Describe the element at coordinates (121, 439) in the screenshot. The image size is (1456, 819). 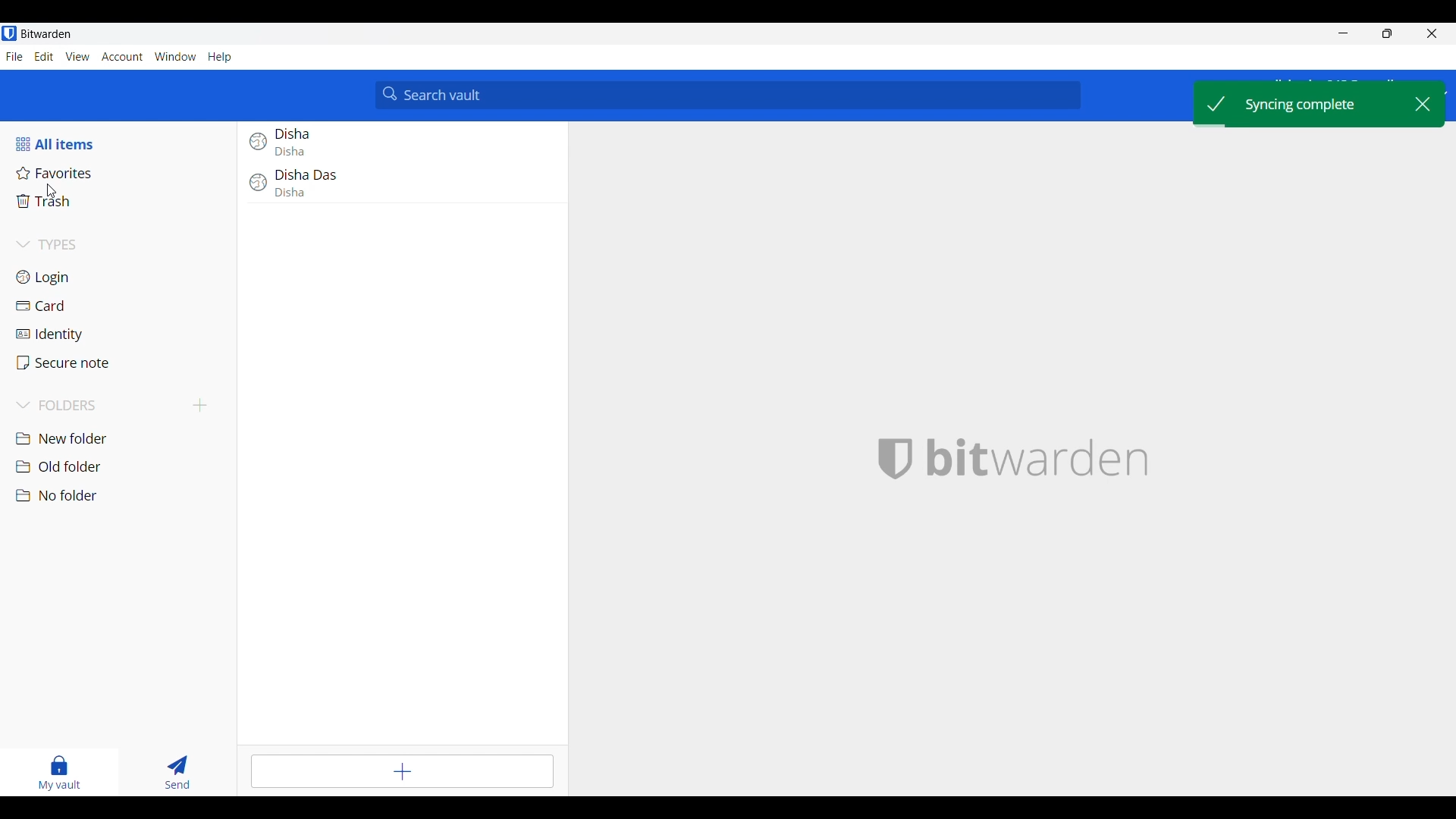
I see `New folder` at that location.